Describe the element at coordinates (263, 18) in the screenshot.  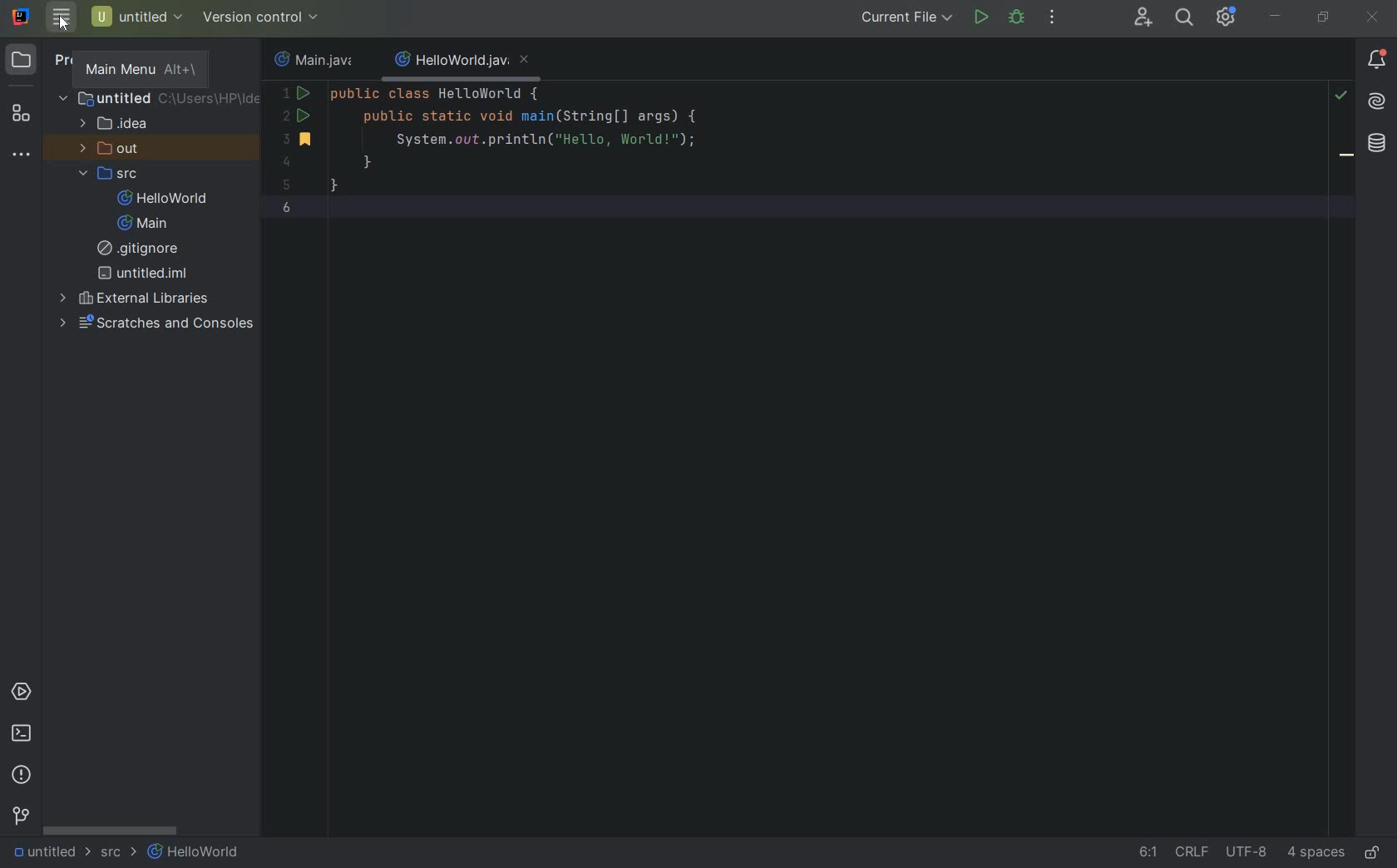
I see `configure version control` at that location.